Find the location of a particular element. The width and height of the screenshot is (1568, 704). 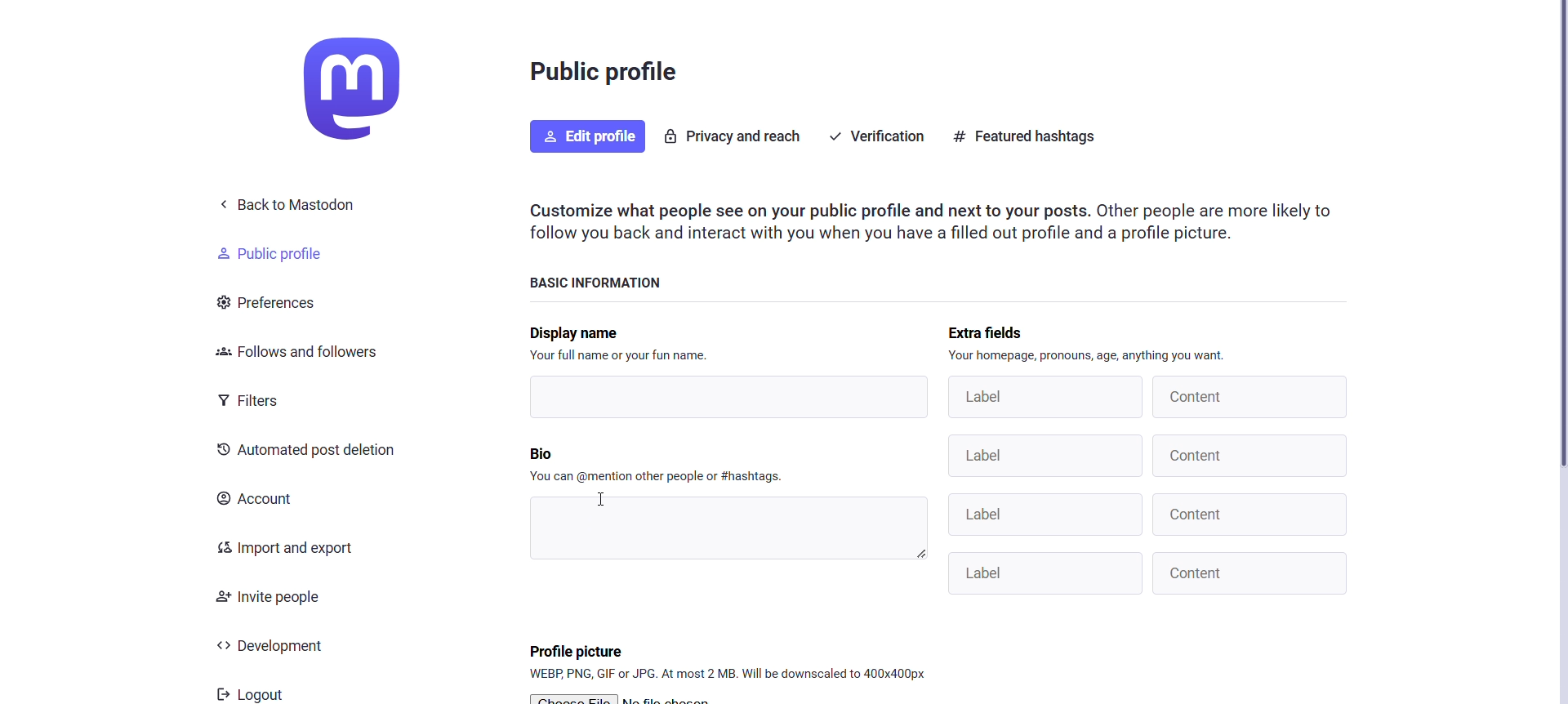

Privacy and Reach is located at coordinates (735, 135).